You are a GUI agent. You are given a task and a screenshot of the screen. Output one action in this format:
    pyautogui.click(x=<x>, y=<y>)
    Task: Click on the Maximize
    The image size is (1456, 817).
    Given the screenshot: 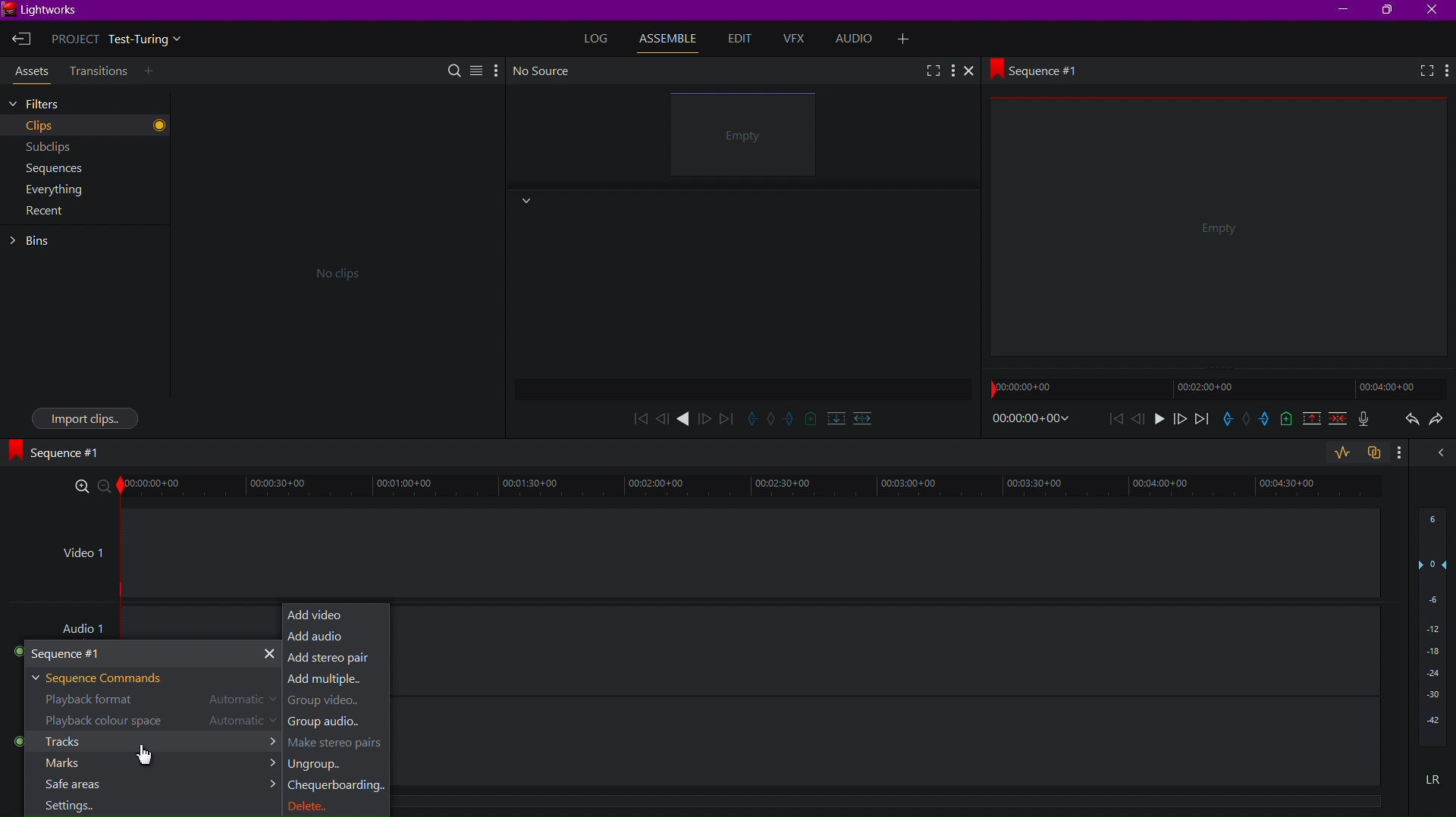 What is the action you would take?
    pyautogui.click(x=1390, y=11)
    